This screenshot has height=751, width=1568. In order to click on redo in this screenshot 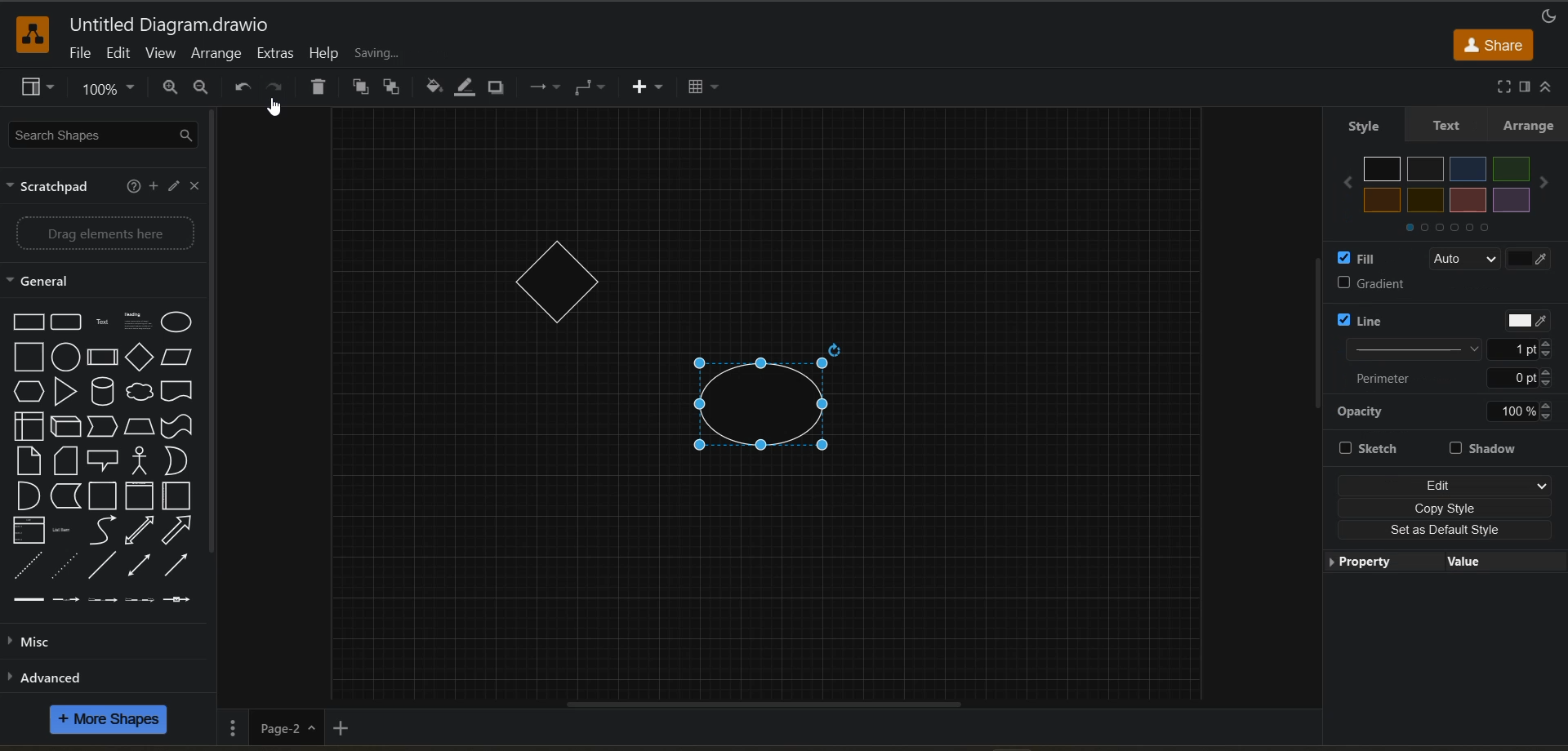, I will do `click(277, 87)`.